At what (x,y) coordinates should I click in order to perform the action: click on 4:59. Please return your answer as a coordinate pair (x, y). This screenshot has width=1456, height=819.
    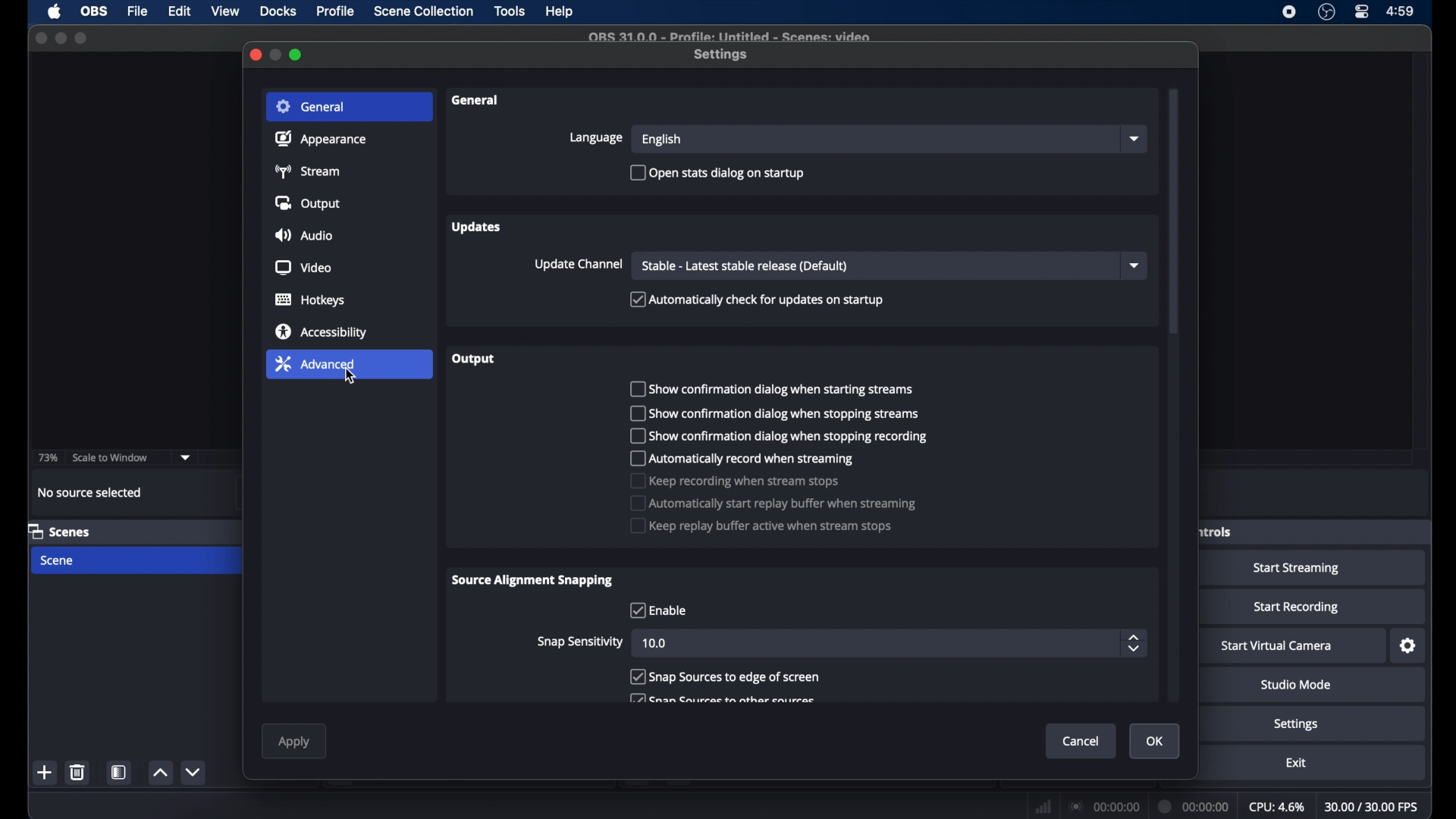
    Looking at the image, I should click on (1400, 11).